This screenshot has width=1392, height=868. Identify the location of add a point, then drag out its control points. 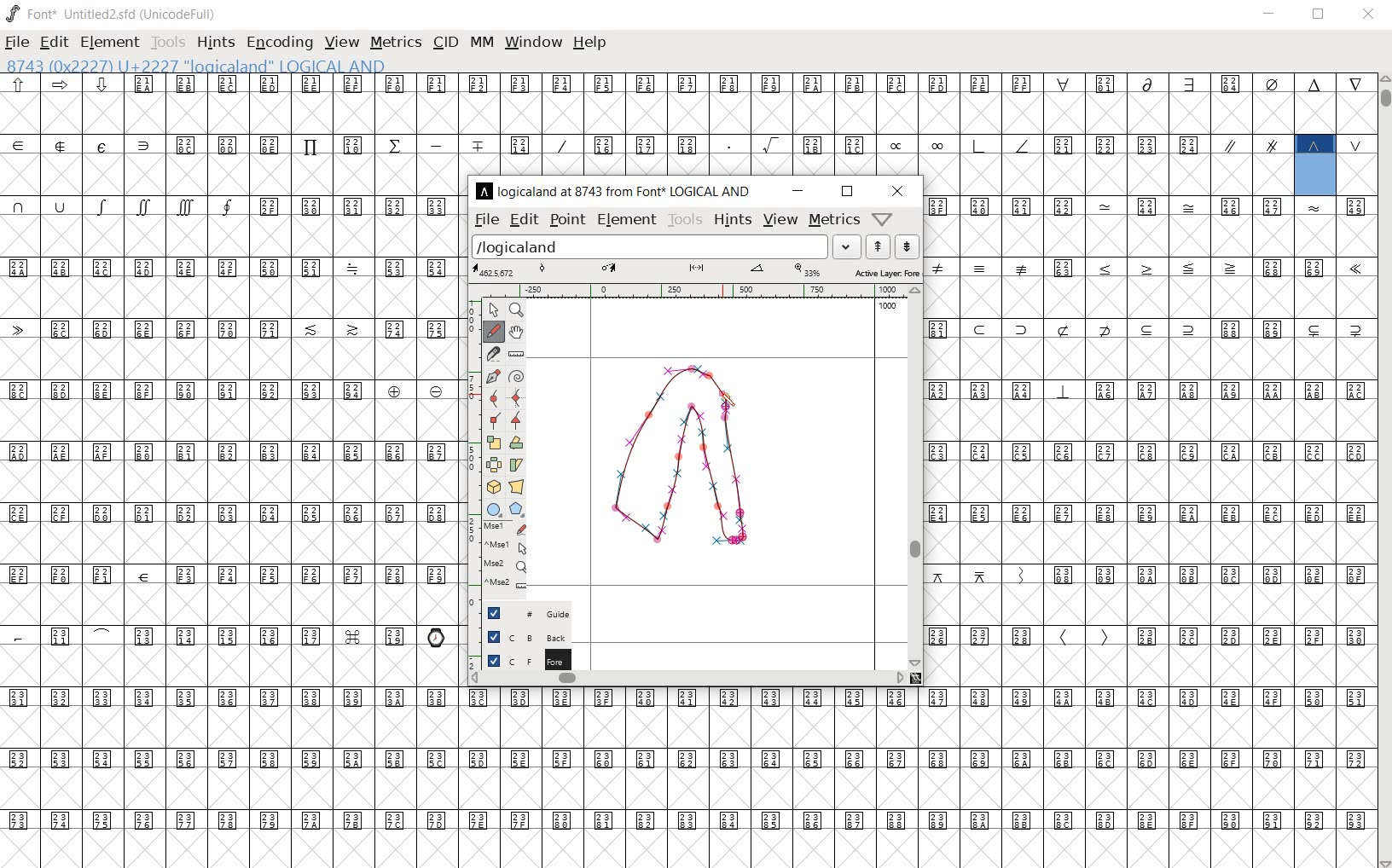
(495, 376).